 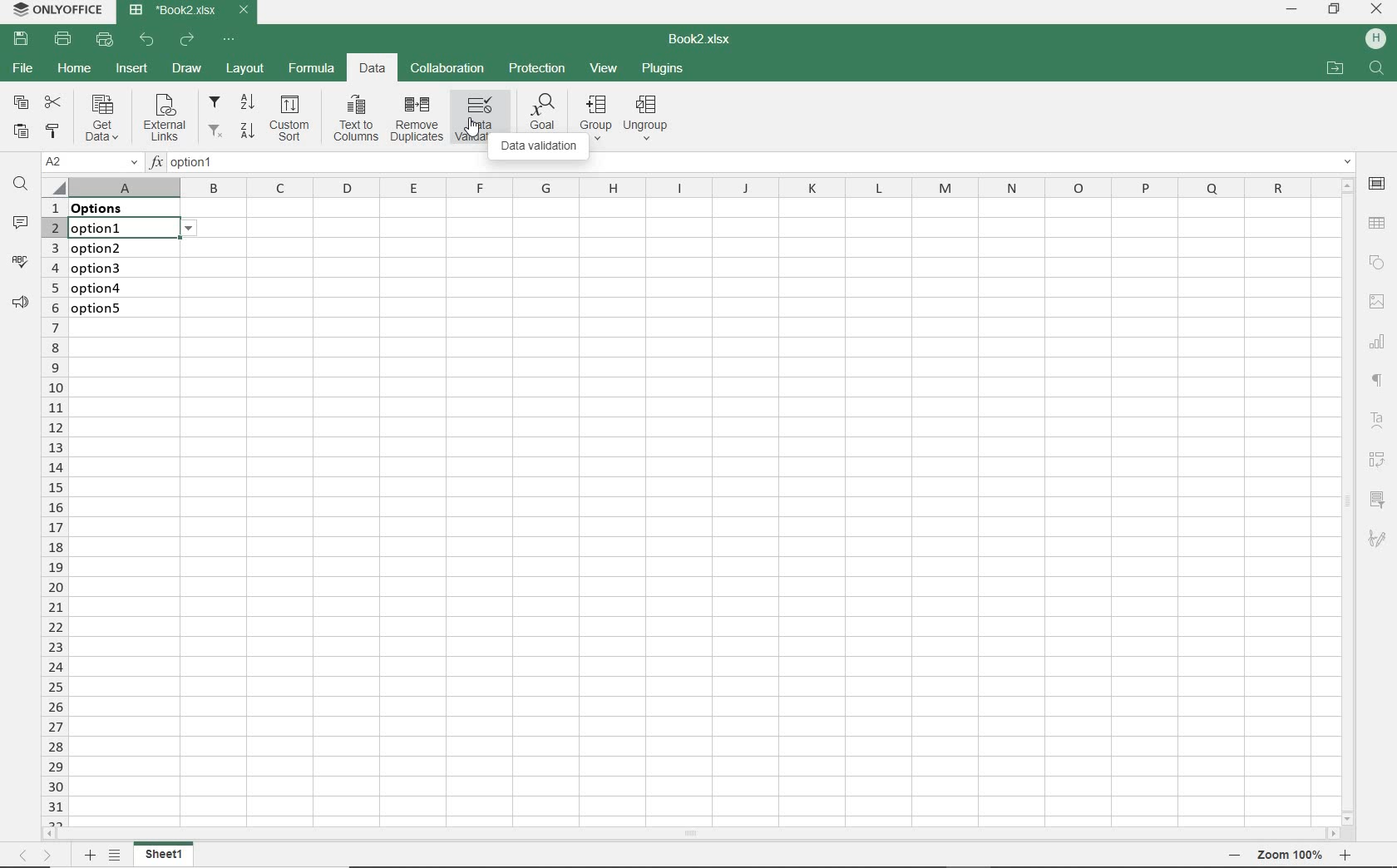 What do you see at coordinates (752, 165) in the screenshot?
I see `INSERT FUNCTION` at bounding box center [752, 165].